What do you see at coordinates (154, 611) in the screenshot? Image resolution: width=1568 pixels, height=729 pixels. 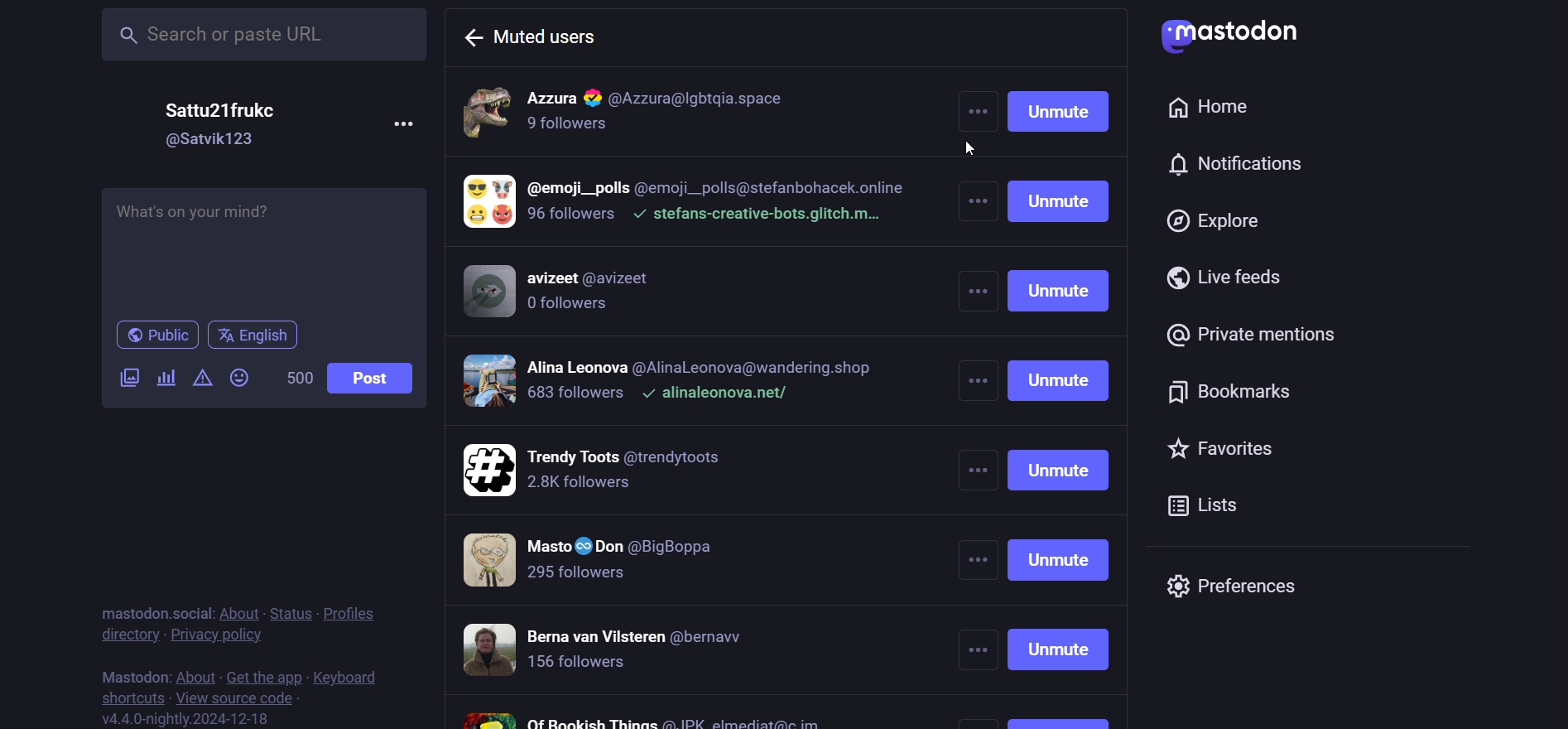 I see `mastodon social` at bounding box center [154, 611].